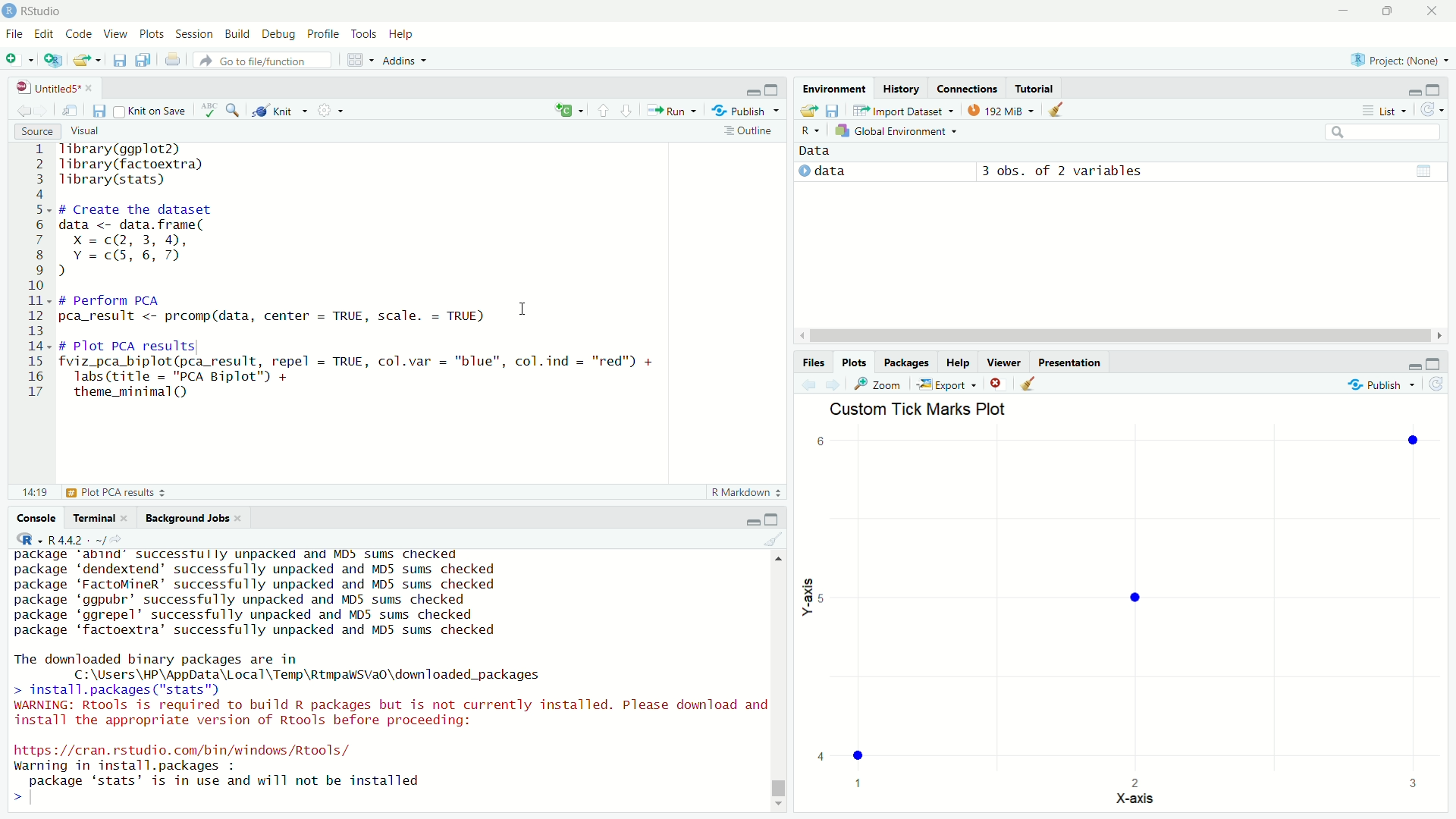  I want to click on Help, so click(403, 34).